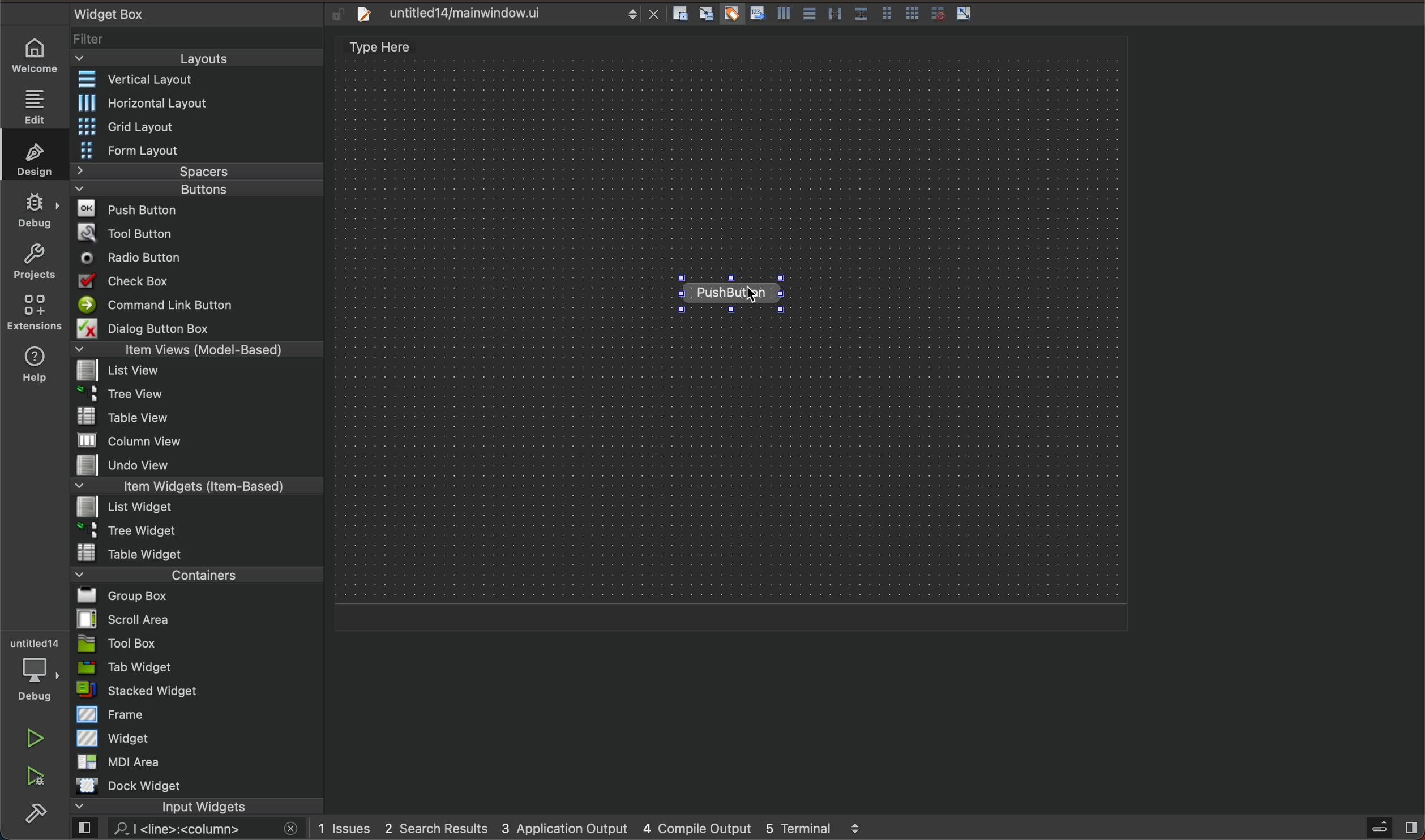 Image resolution: width=1425 pixels, height=840 pixels. Describe the element at coordinates (32, 212) in the screenshot. I see `DE` at that location.